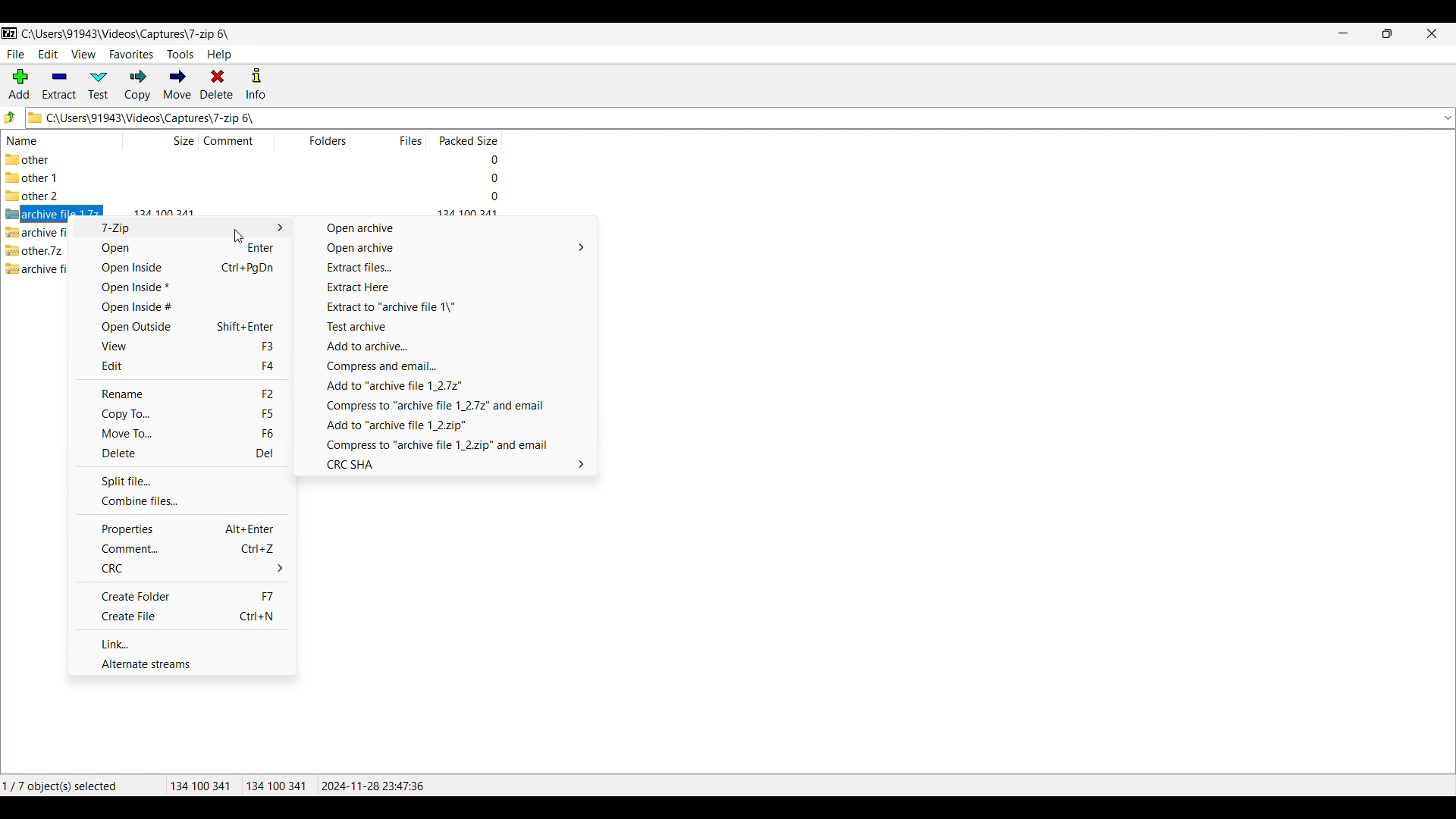  I want to click on Edit menu, so click(49, 54).